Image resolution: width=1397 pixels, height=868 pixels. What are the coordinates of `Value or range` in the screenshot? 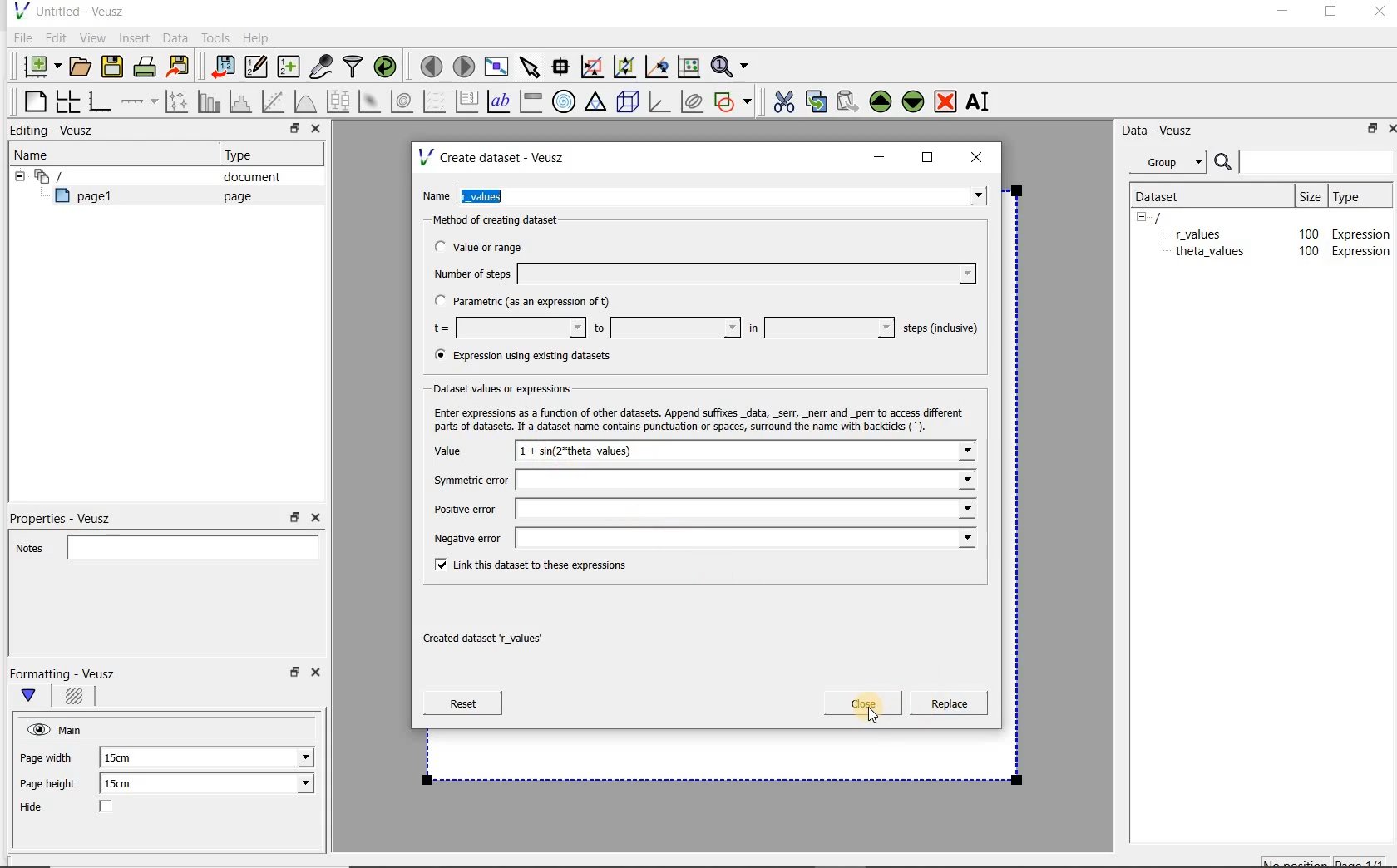 It's located at (493, 244).